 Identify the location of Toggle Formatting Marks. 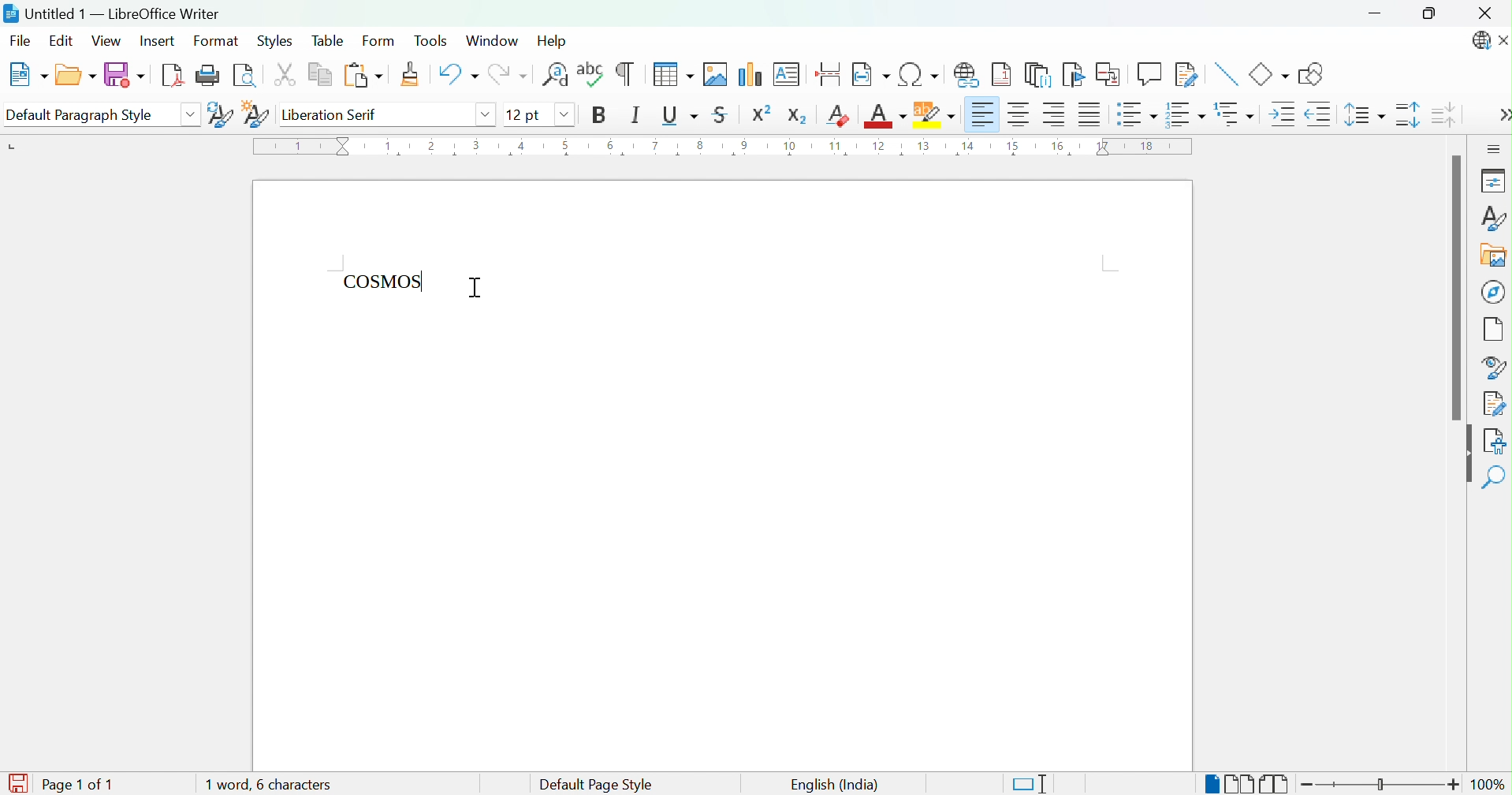
(625, 73).